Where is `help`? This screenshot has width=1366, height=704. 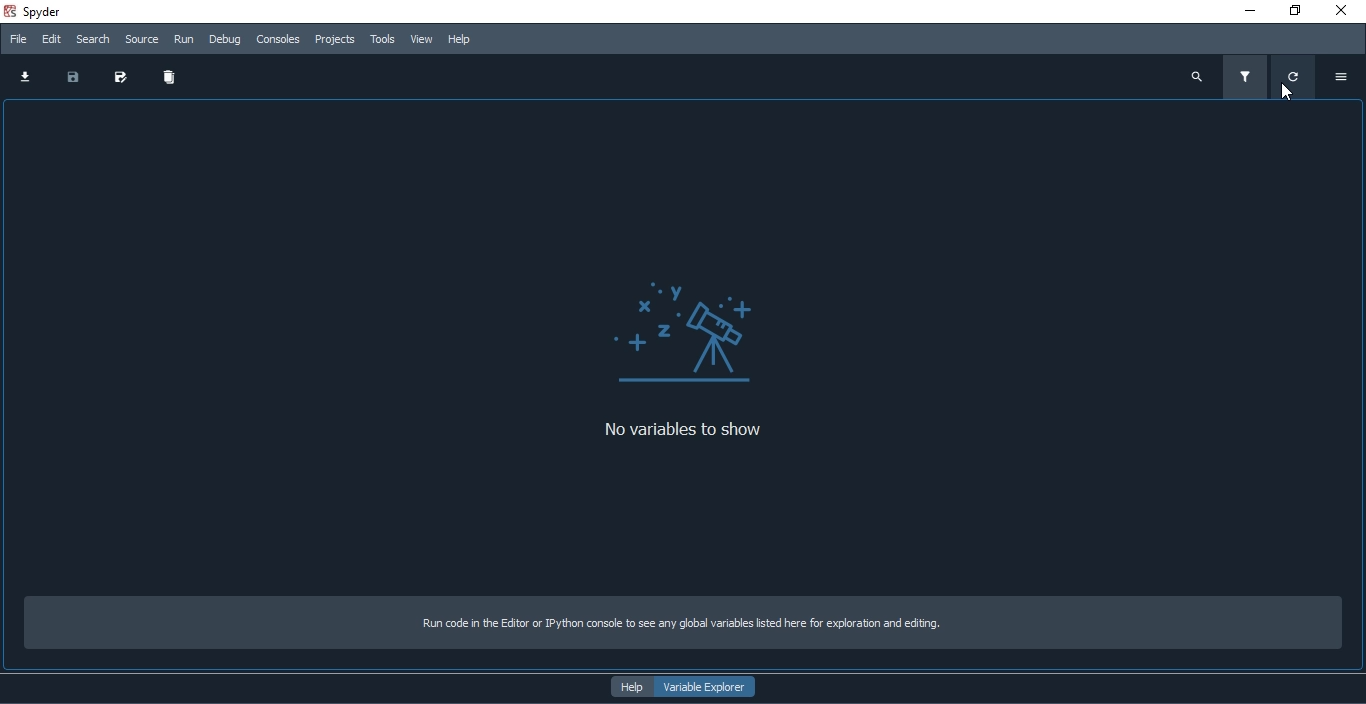 help is located at coordinates (627, 686).